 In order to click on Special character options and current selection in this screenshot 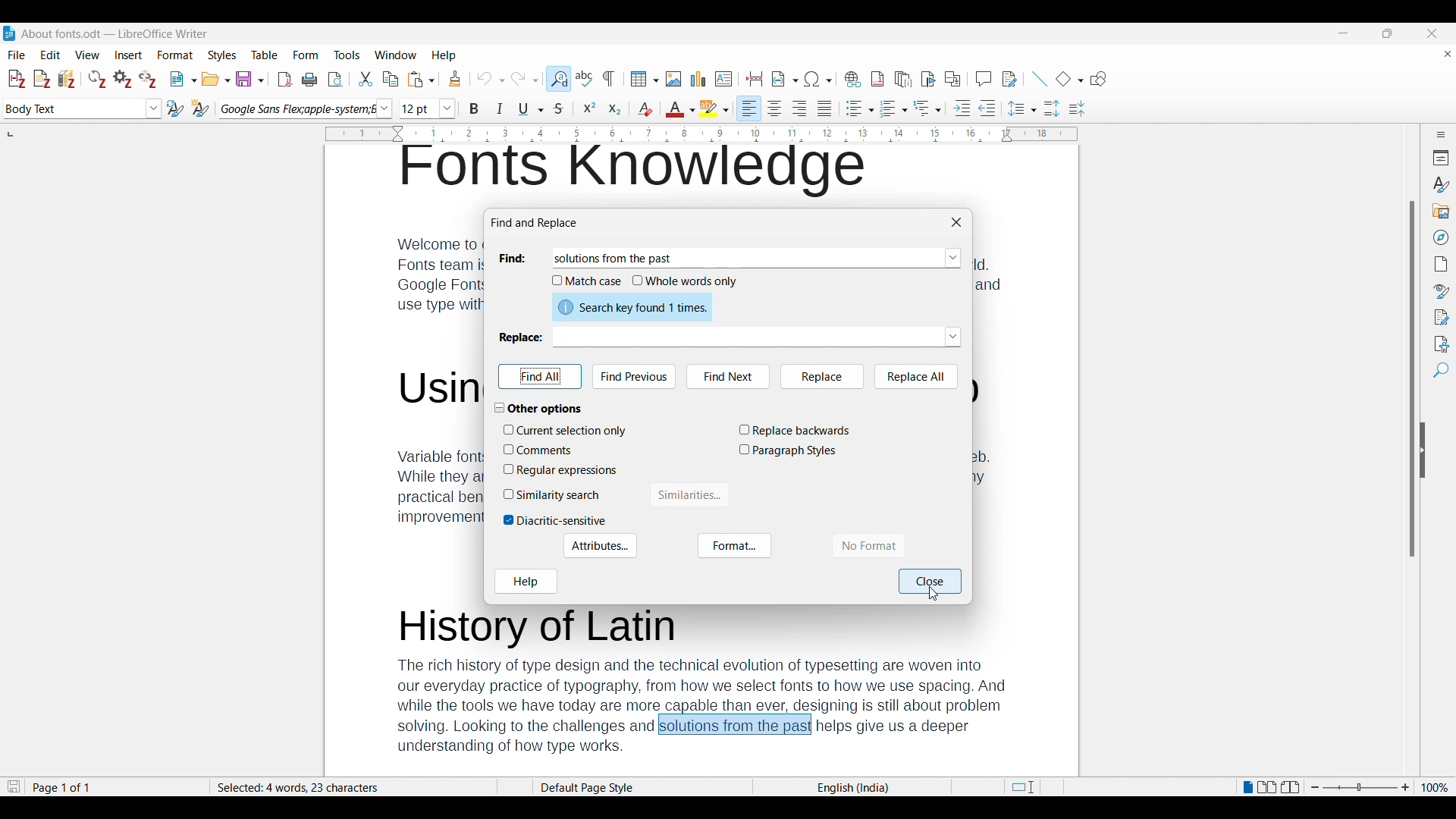, I will do `click(818, 79)`.